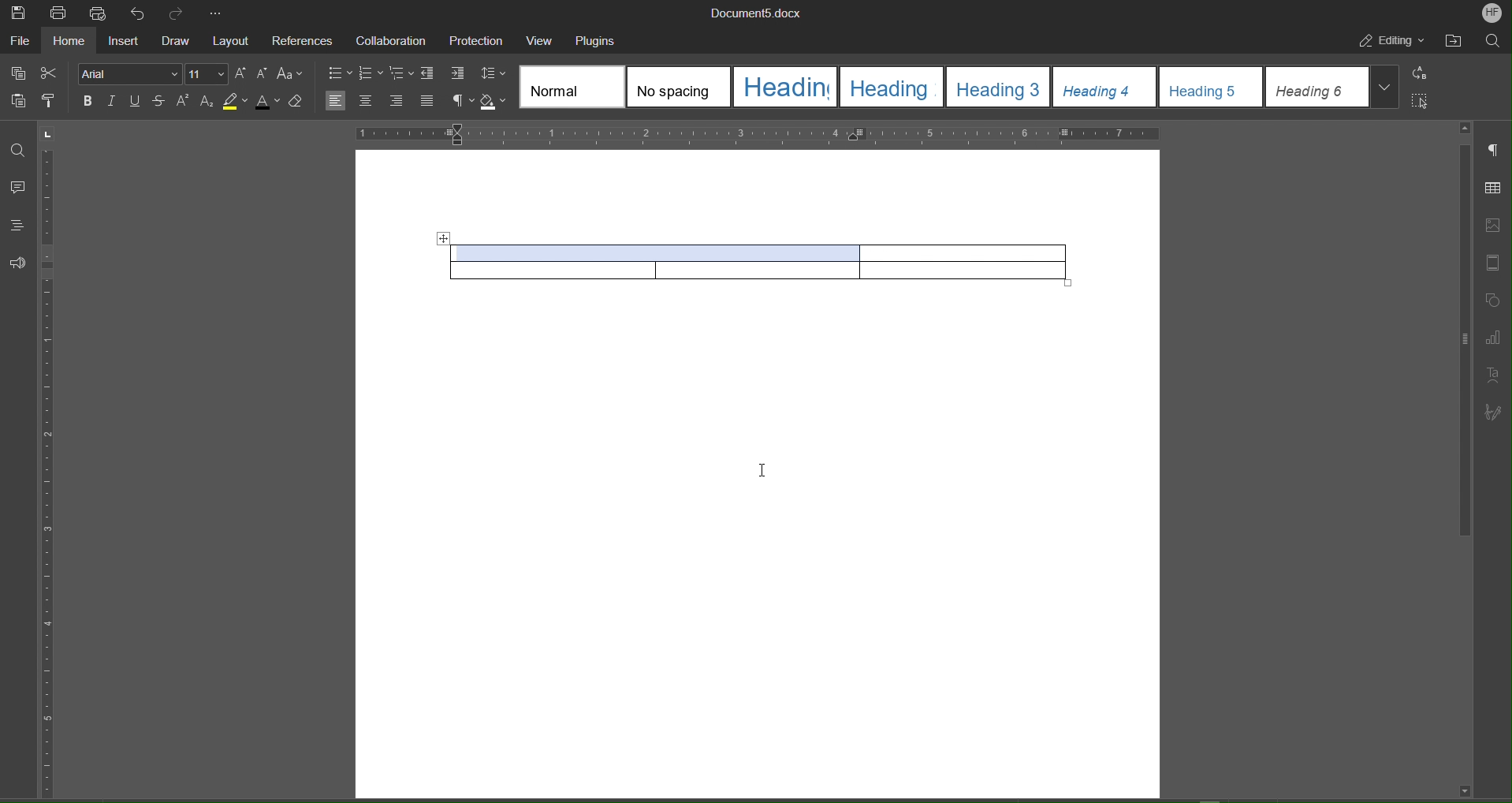 The height and width of the screenshot is (803, 1512). I want to click on Layout, so click(234, 43).